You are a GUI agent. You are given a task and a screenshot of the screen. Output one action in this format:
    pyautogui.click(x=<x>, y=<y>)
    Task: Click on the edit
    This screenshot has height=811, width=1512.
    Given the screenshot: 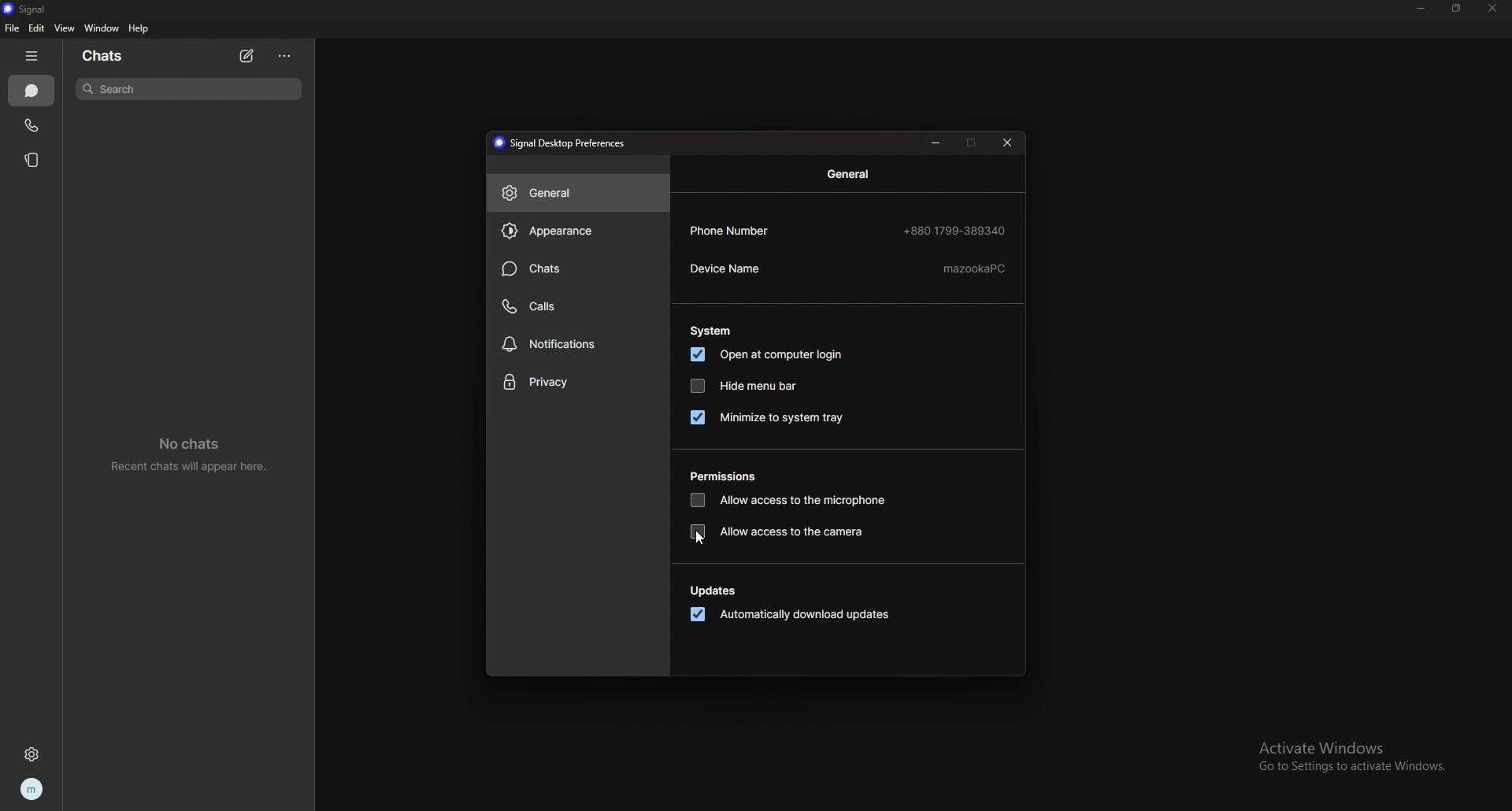 What is the action you would take?
    pyautogui.click(x=38, y=28)
    